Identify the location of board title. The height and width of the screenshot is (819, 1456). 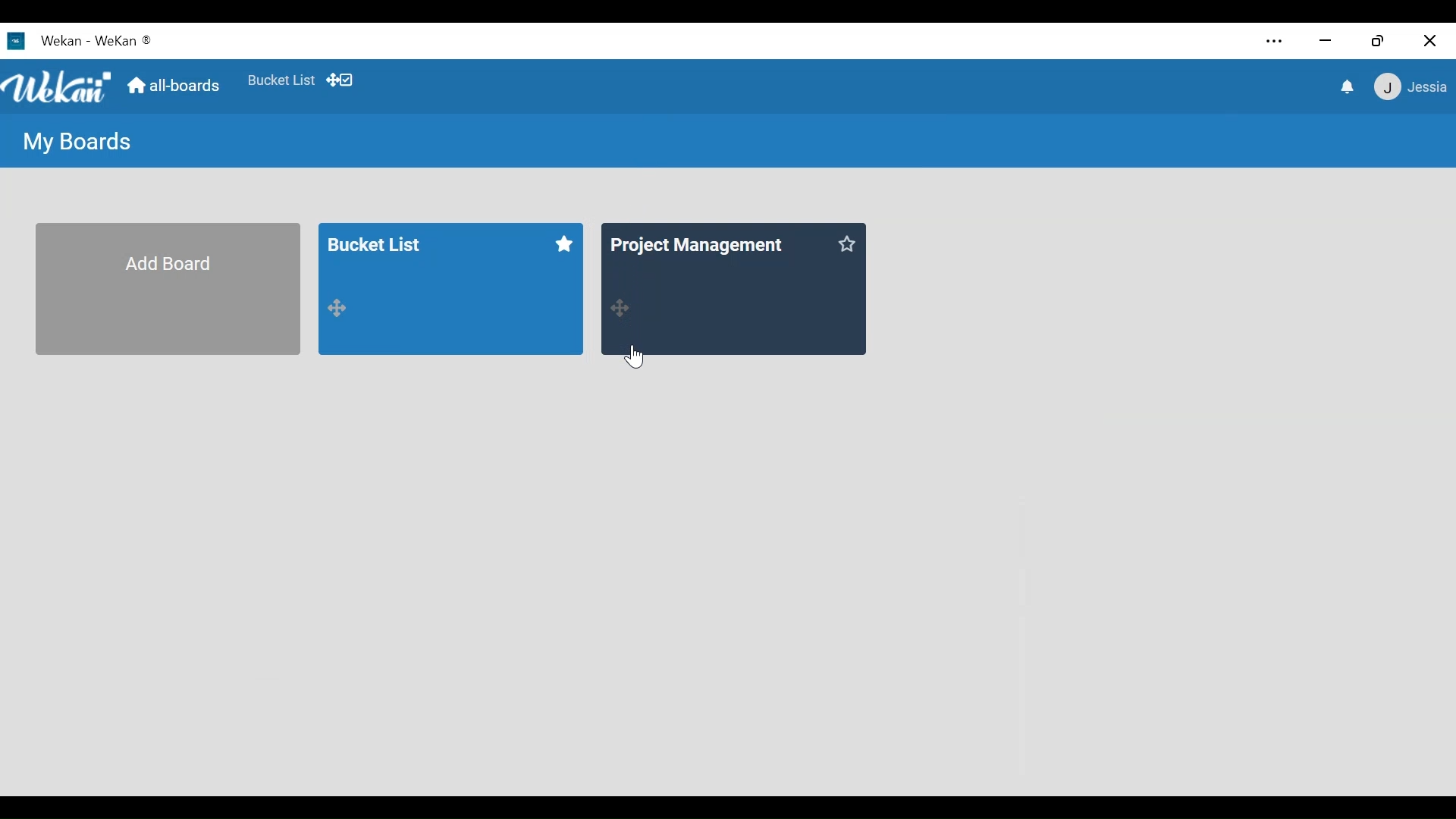
(387, 245).